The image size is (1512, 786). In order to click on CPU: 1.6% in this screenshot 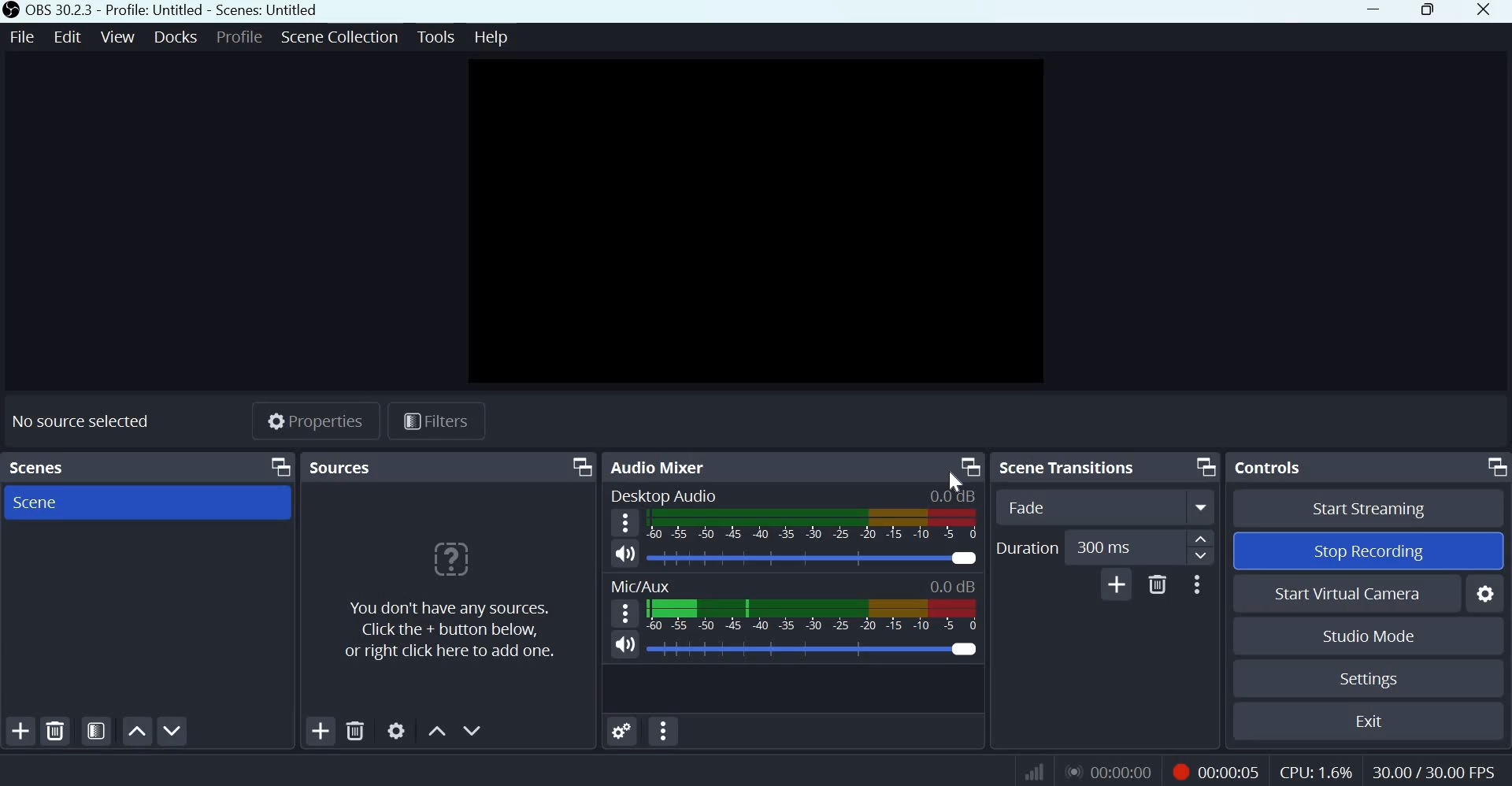, I will do `click(1317, 767)`.